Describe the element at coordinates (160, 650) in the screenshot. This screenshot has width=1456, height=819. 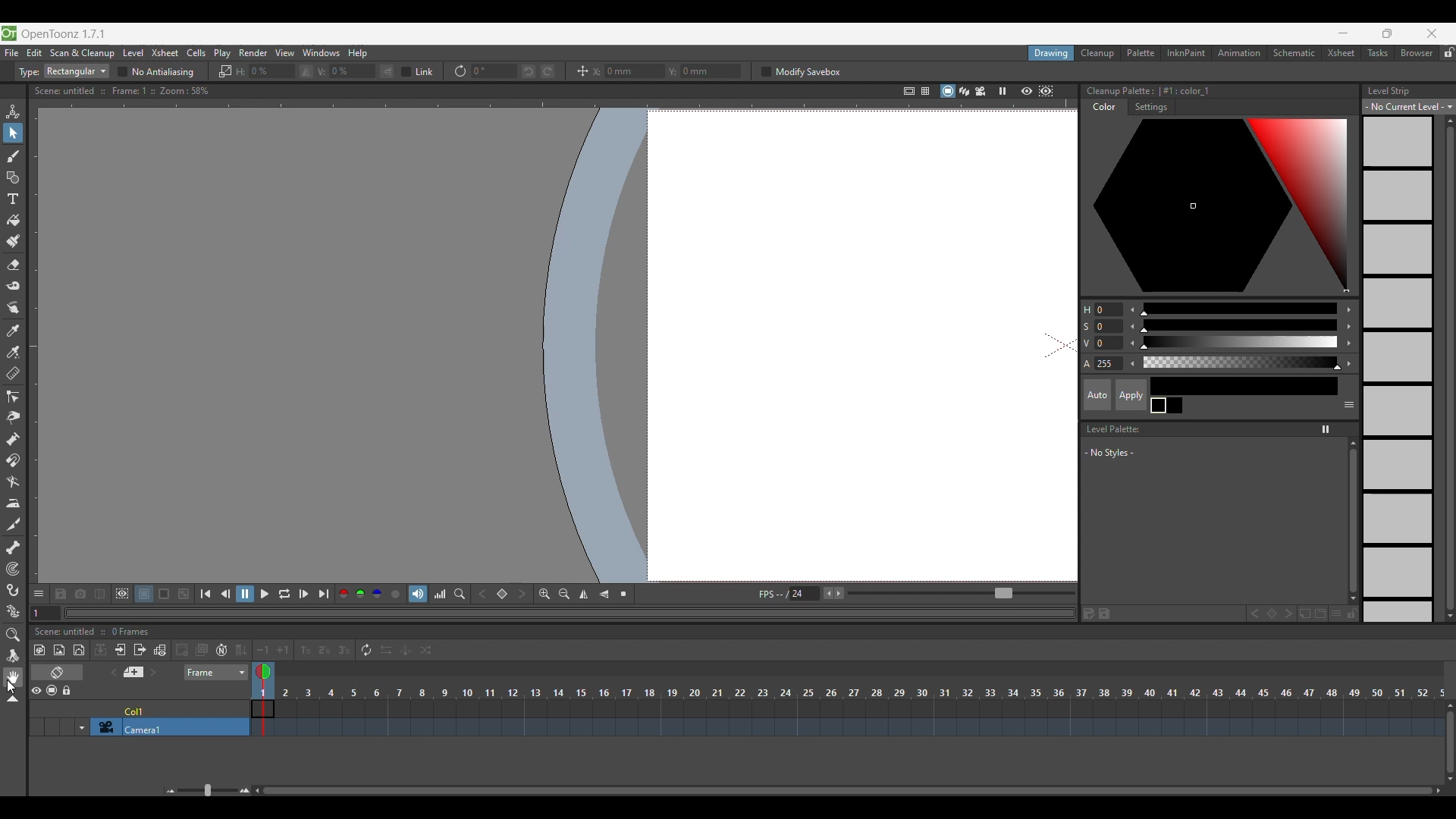
I see `Toggle edit in place` at that location.